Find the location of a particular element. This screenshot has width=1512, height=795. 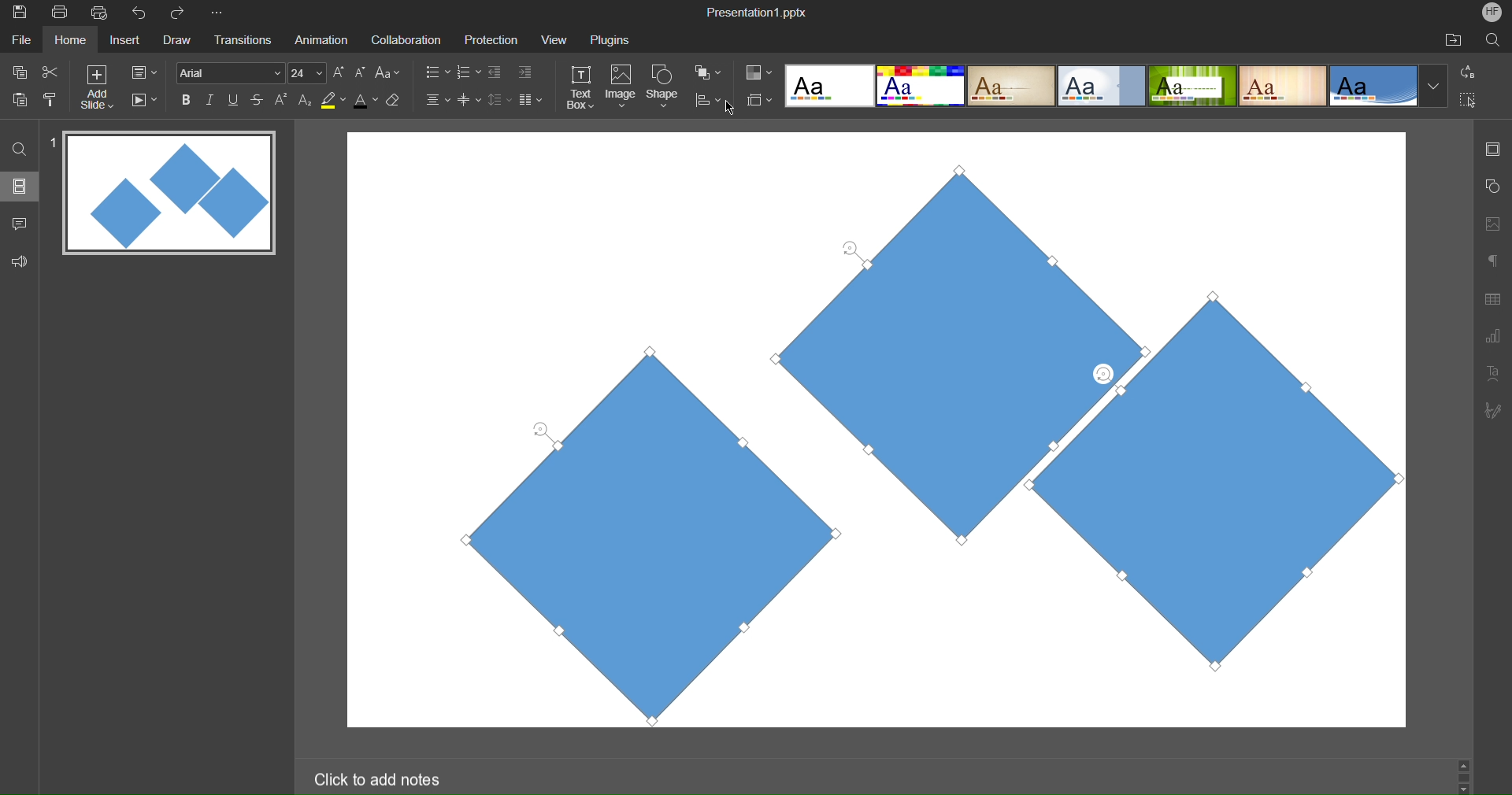

open file location is located at coordinates (1453, 39).